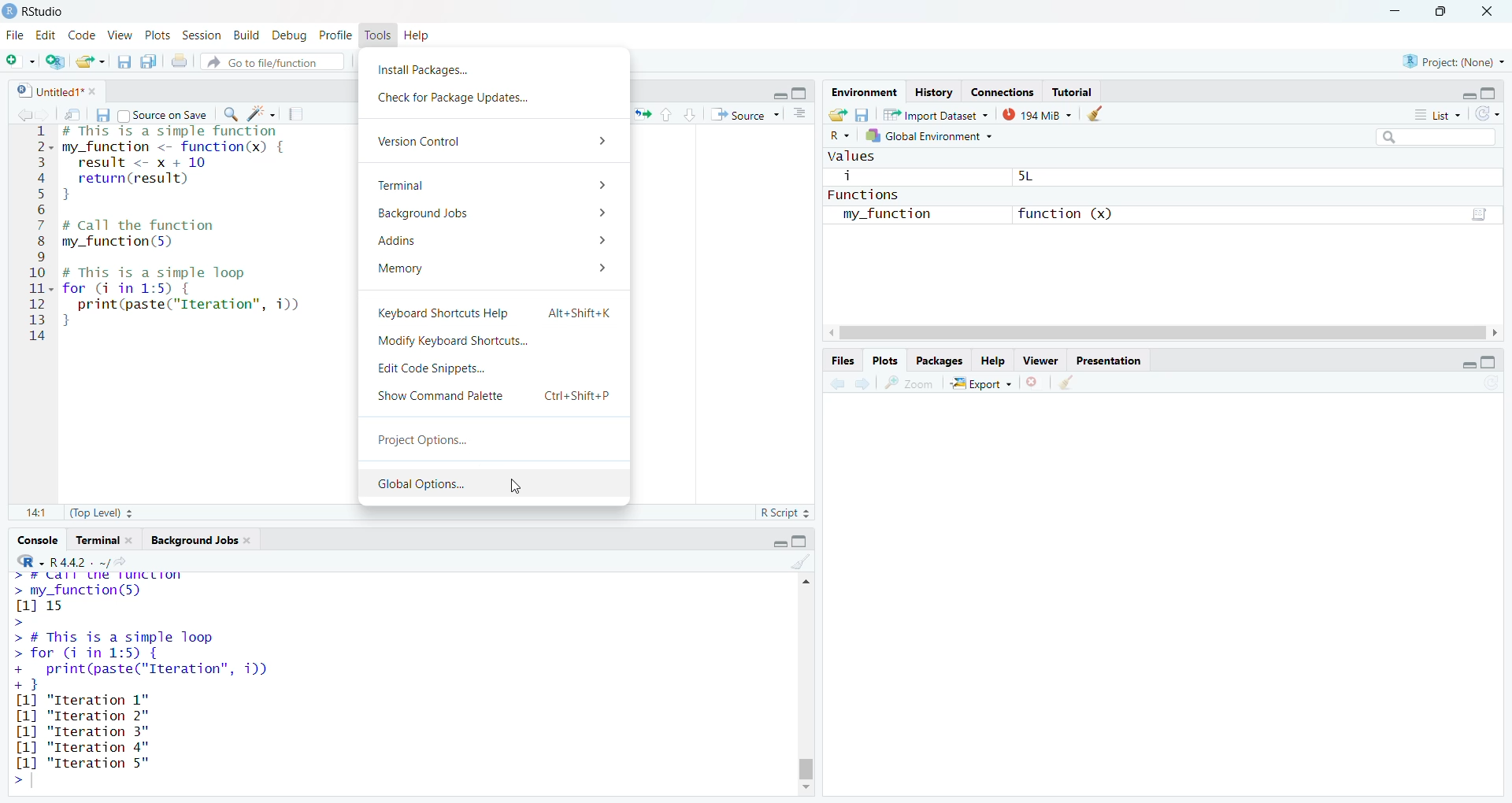 The width and height of the screenshot is (1512, 803). What do you see at coordinates (1034, 382) in the screenshot?
I see `remove the current plot` at bounding box center [1034, 382].